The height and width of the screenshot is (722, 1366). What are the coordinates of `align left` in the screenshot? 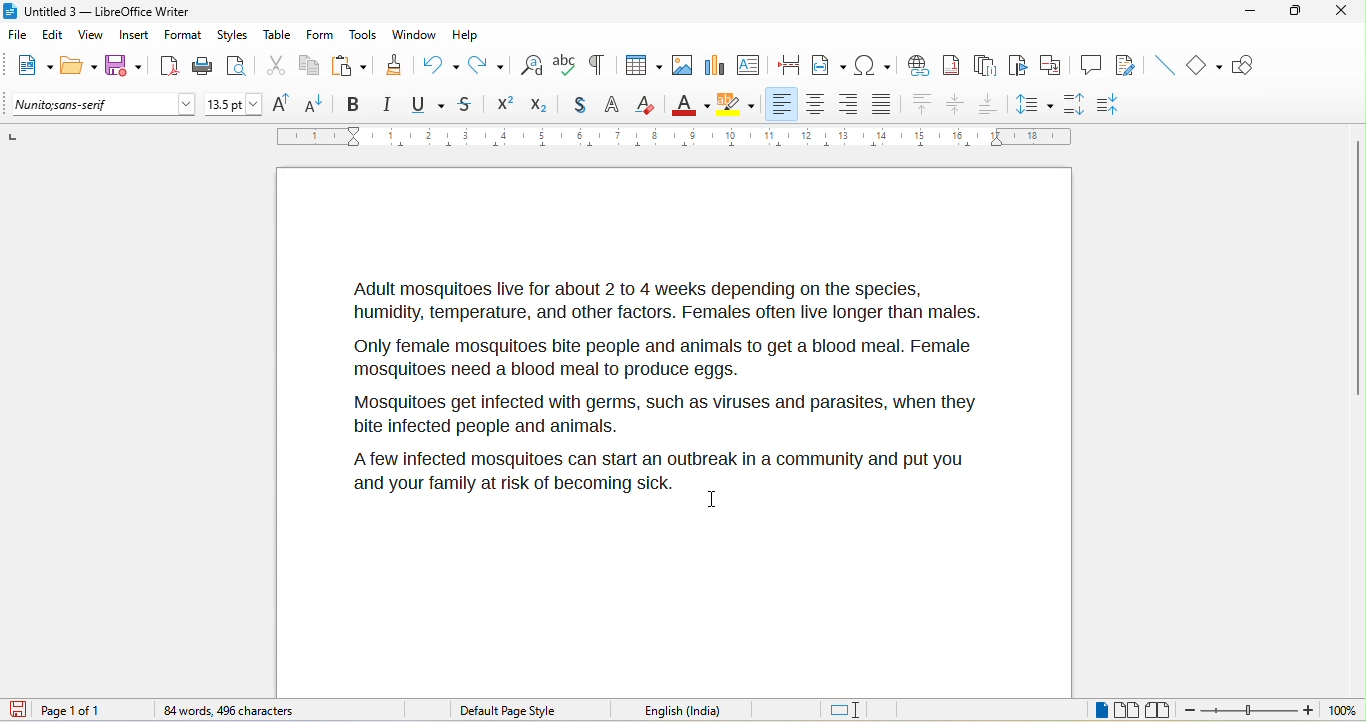 It's located at (781, 103).